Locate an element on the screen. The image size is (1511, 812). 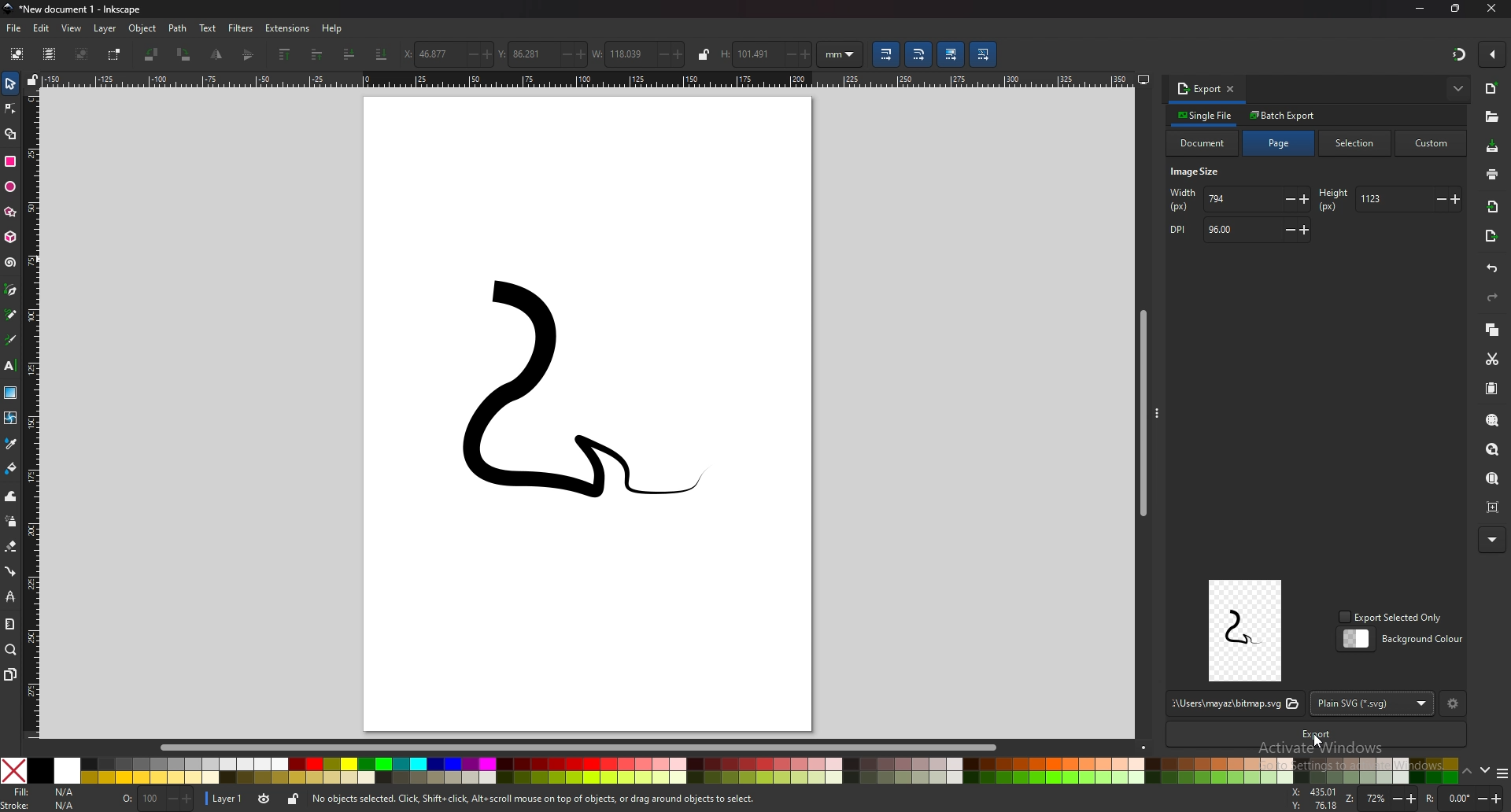
spiral is located at coordinates (12, 263).